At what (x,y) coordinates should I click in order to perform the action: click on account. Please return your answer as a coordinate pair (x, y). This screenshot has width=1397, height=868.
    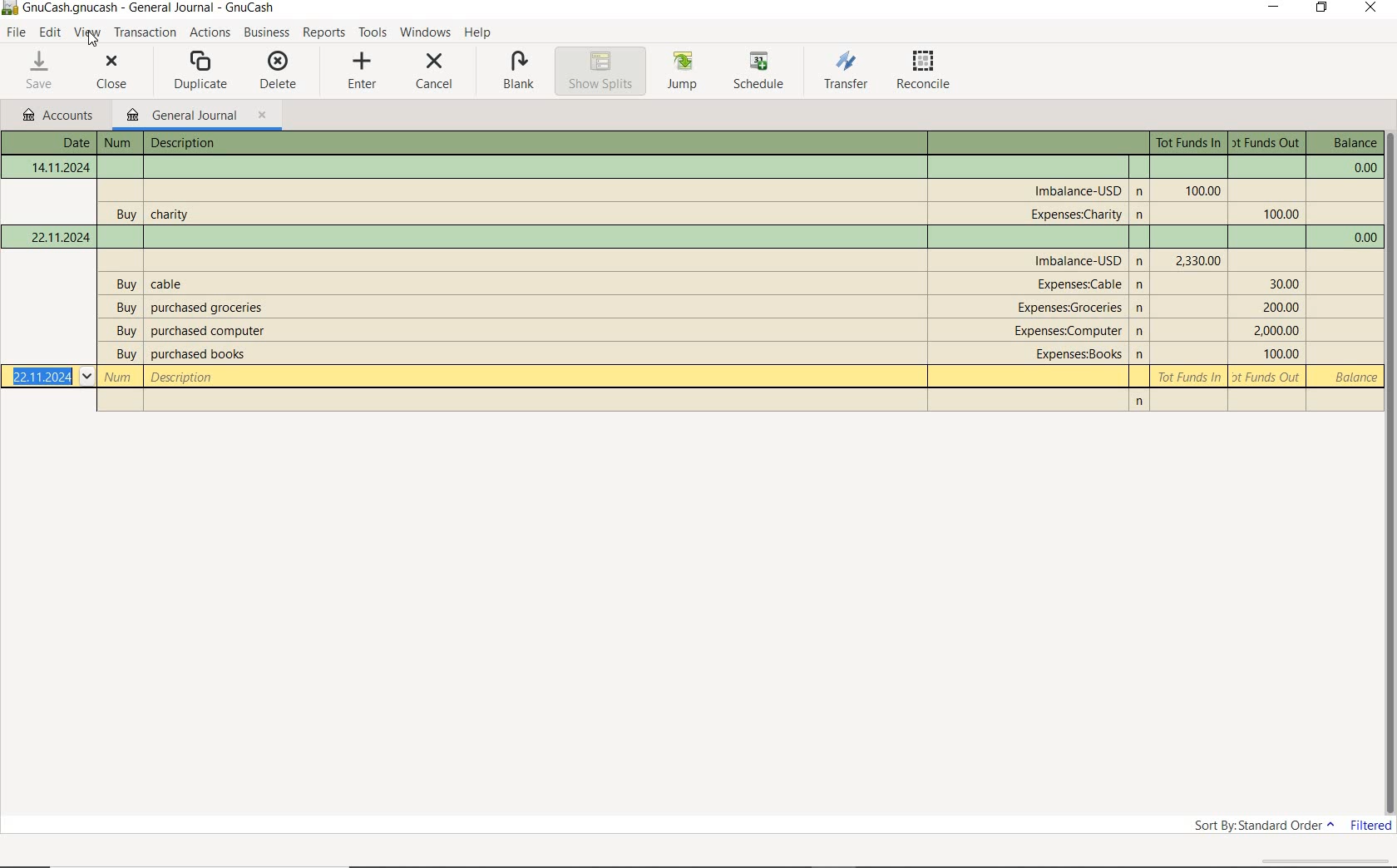
    Looking at the image, I should click on (1076, 215).